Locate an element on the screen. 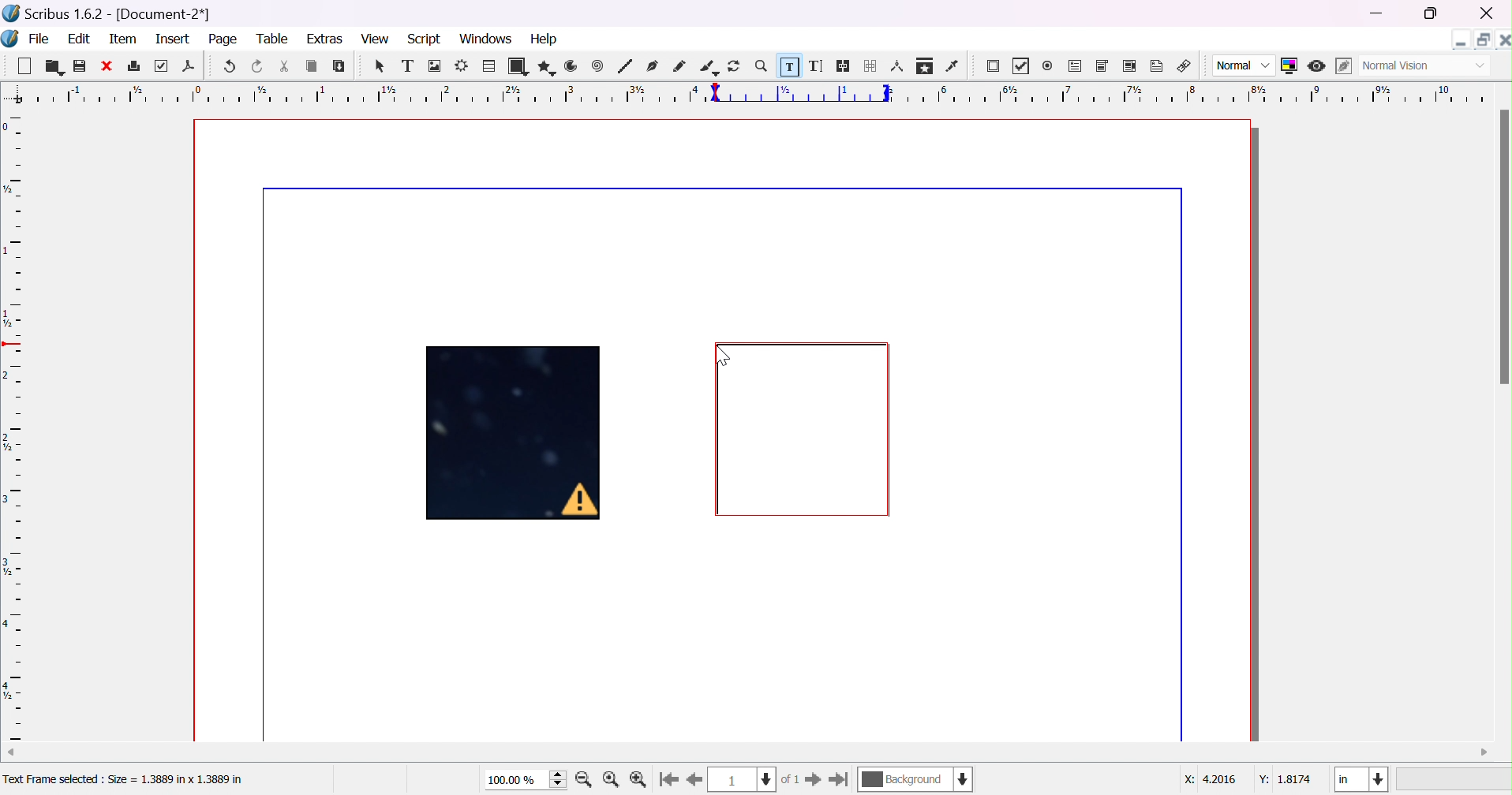 The height and width of the screenshot is (795, 1512). ruler is located at coordinates (13, 427).